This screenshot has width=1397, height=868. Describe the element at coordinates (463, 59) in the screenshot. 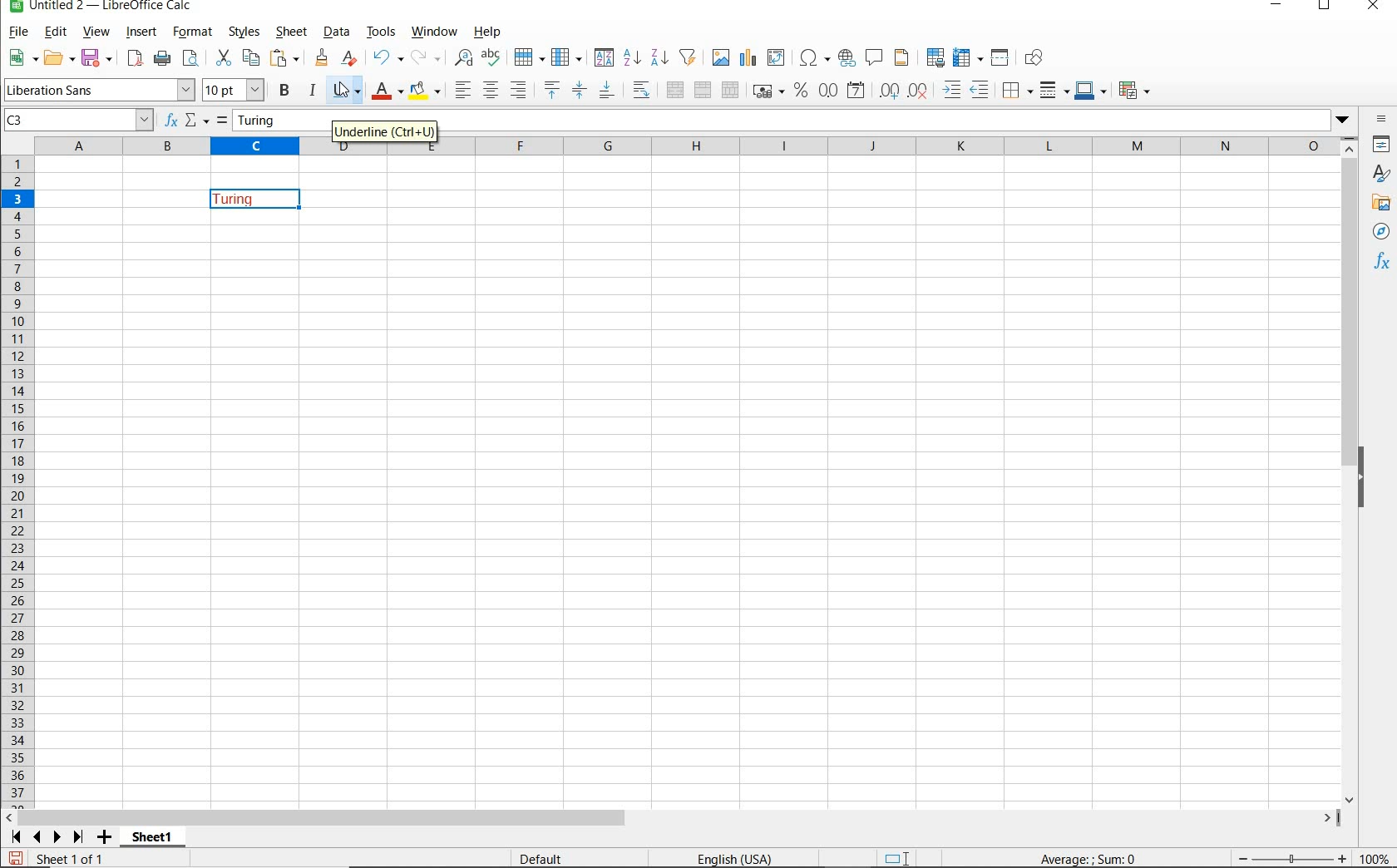

I see `FIND AND REPLACE` at that location.